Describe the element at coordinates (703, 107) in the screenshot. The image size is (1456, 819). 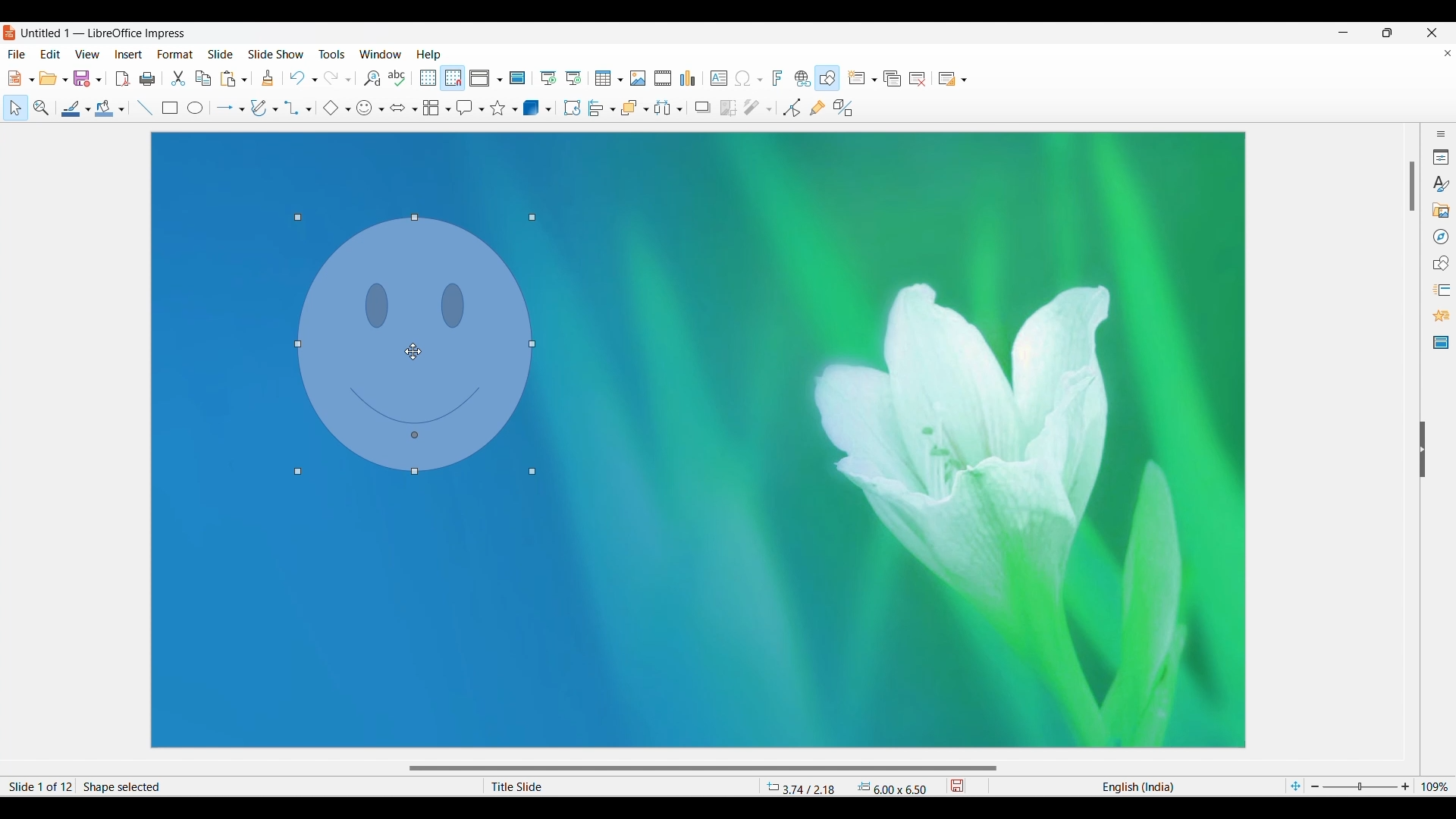
I see `Shadow` at that location.